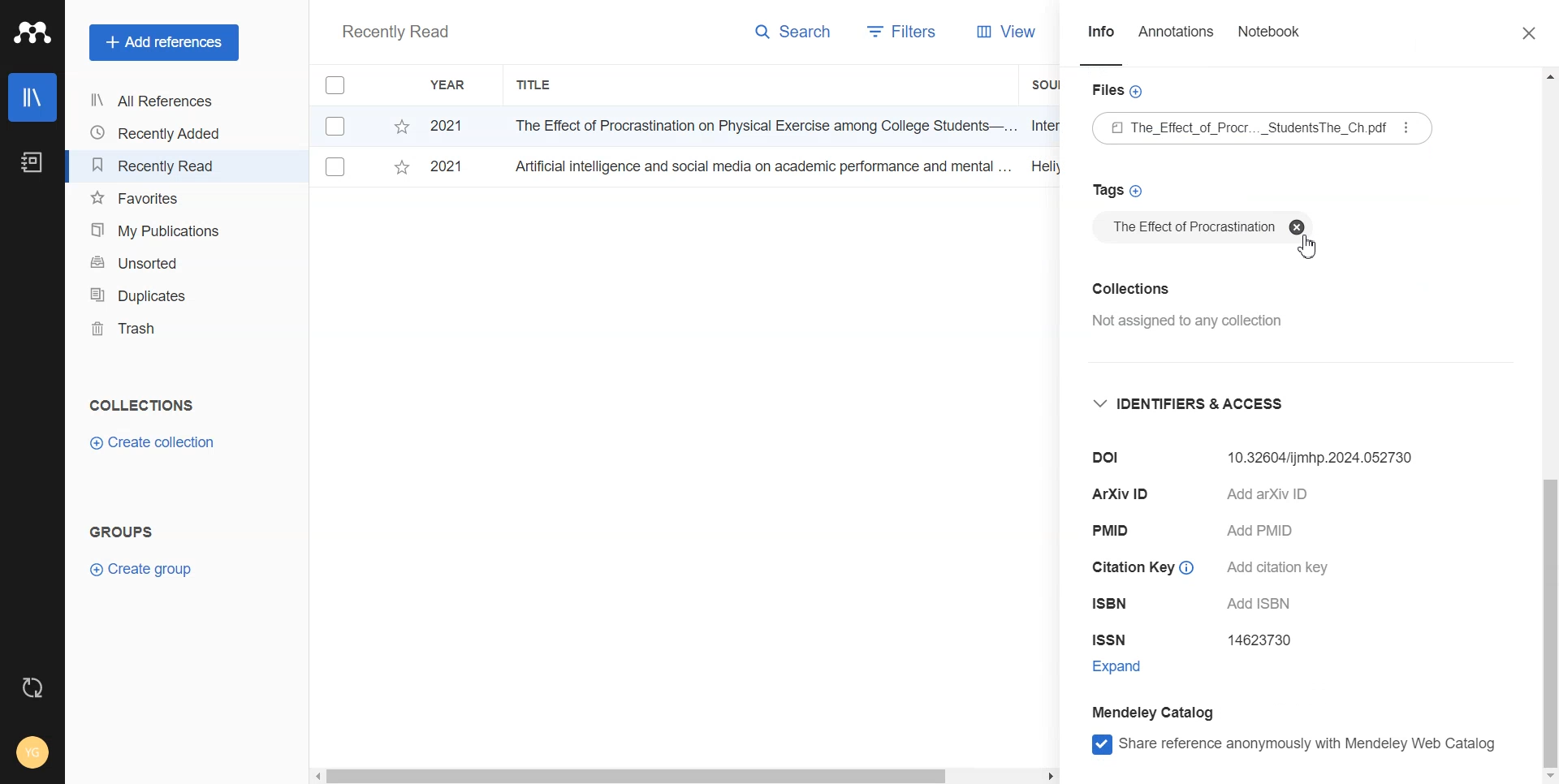  Describe the element at coordinates (154, 443) in the screenshot. I see `Create Collection` at that location.